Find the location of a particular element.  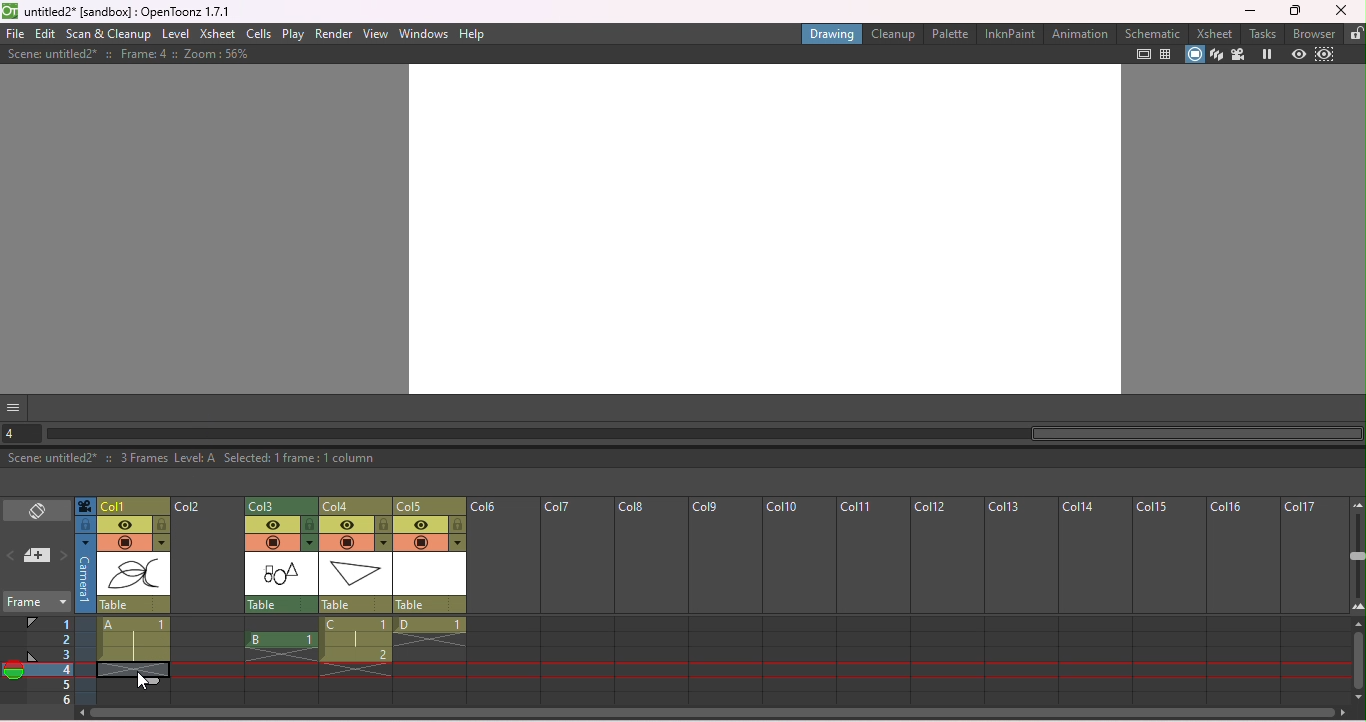

Click to select camera is located at coordinates (86, 574).